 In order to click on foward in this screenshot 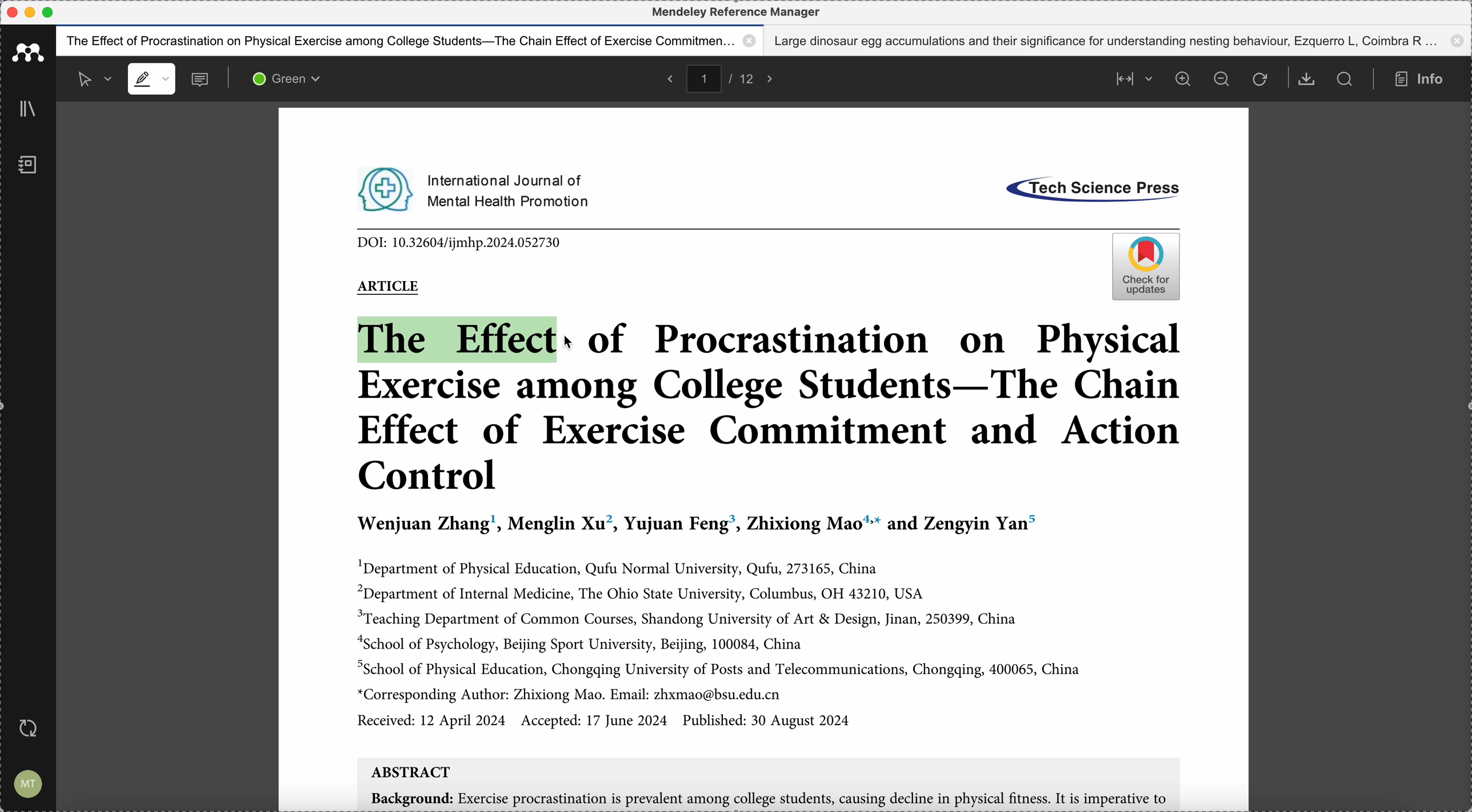, I will do `click(774, 78)`.